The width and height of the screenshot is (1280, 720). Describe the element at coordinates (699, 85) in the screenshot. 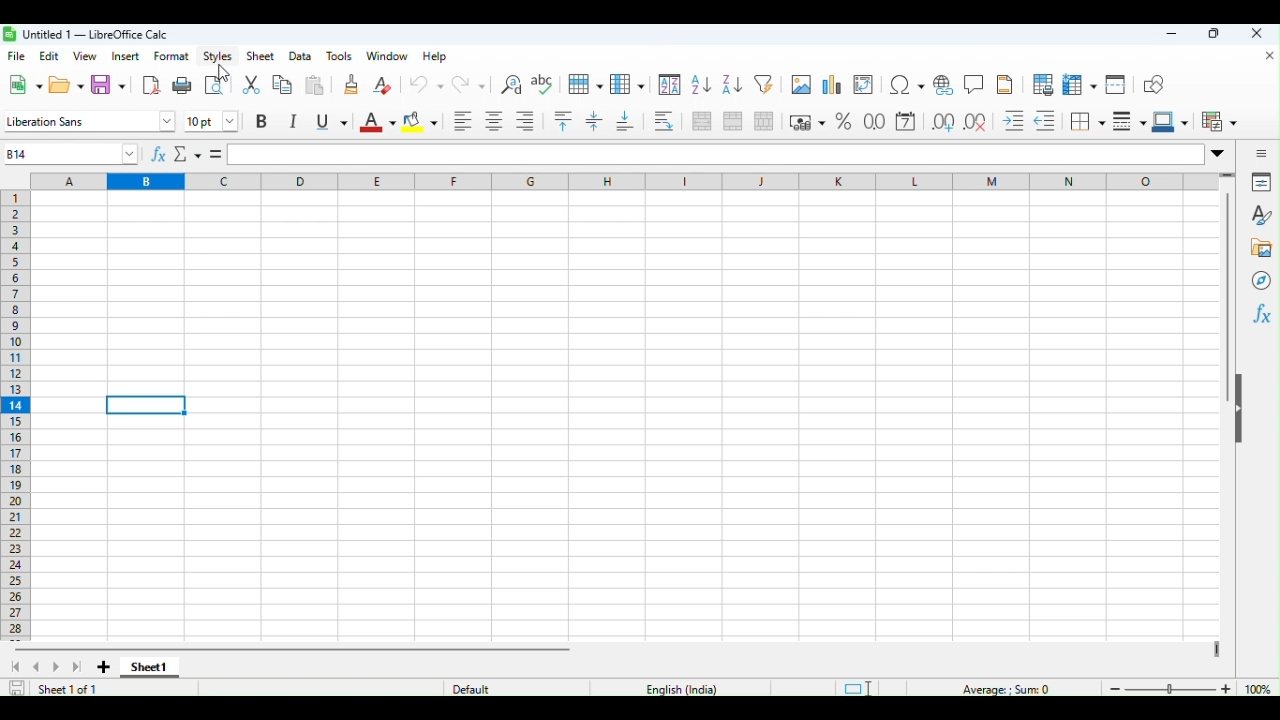

I see `Sort ascending` at that location.